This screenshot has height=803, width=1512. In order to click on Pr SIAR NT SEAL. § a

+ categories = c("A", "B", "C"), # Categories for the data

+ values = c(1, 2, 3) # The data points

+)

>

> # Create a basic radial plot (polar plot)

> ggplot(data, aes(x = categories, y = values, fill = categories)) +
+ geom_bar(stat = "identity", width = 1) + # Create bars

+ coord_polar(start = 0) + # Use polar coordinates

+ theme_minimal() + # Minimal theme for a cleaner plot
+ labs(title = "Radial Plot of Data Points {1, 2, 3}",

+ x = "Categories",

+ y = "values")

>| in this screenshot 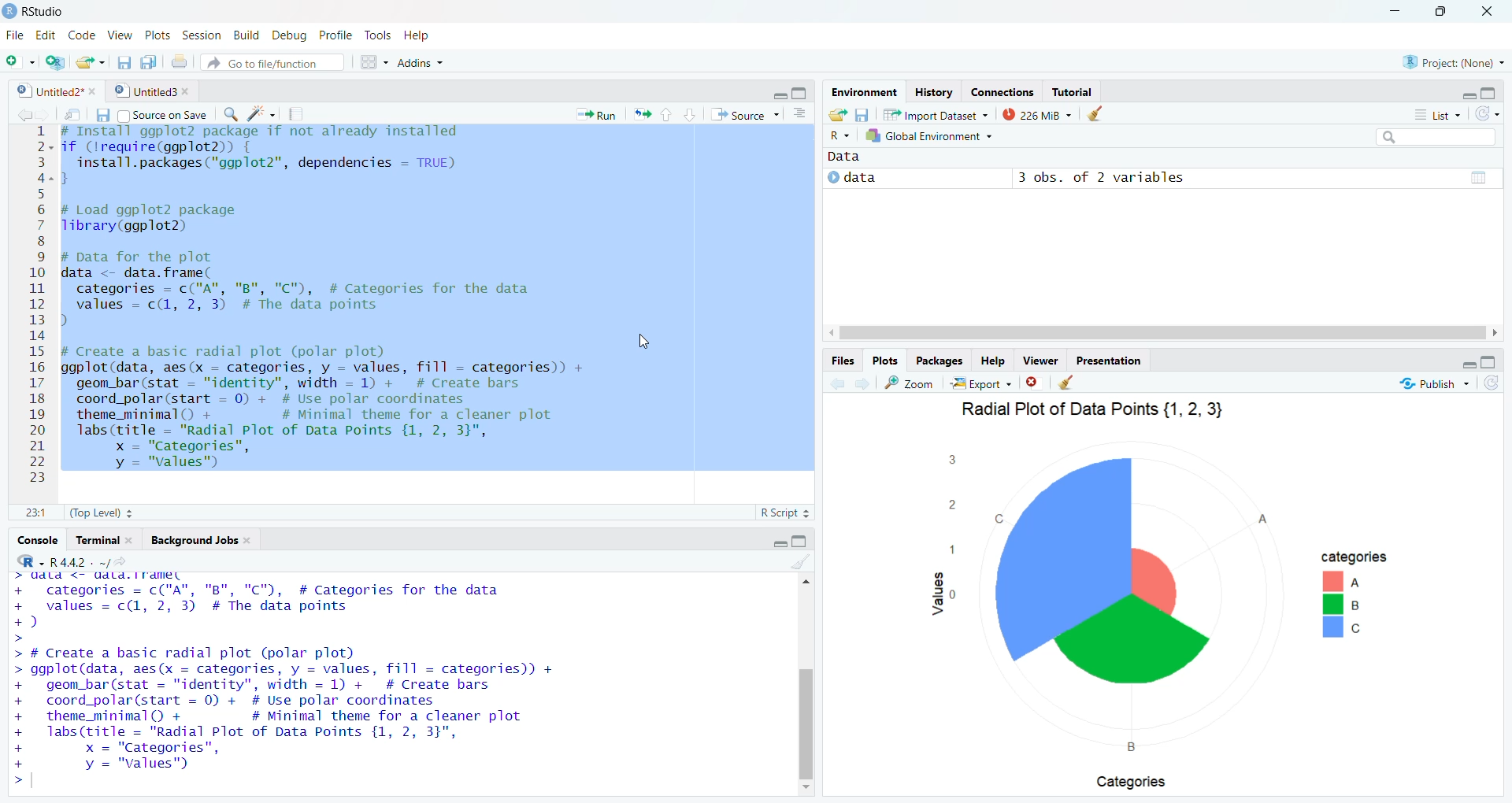, I will do `click(288, 688)`.